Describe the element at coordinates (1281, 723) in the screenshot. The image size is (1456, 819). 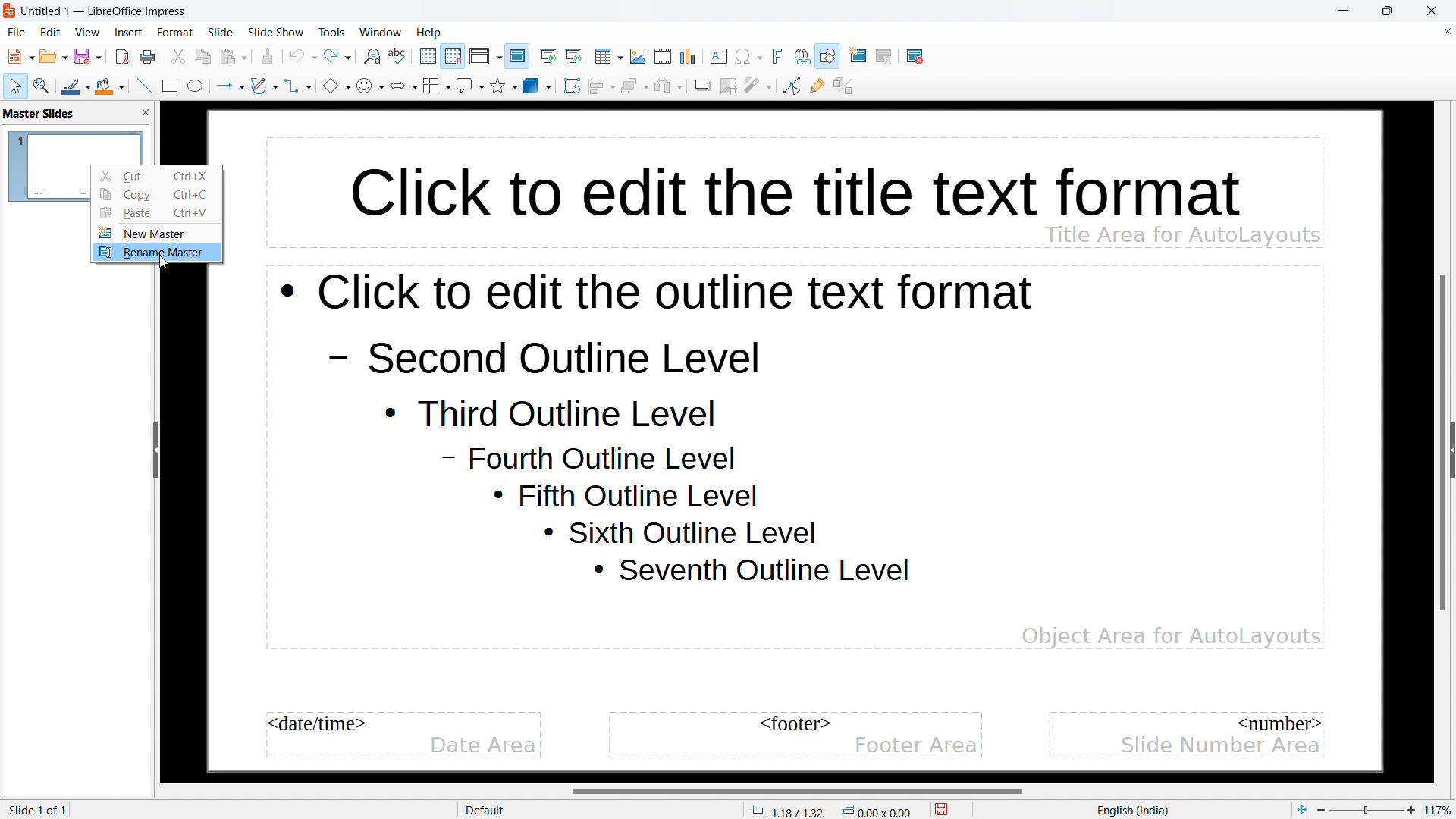
I see `<number>` at that location.